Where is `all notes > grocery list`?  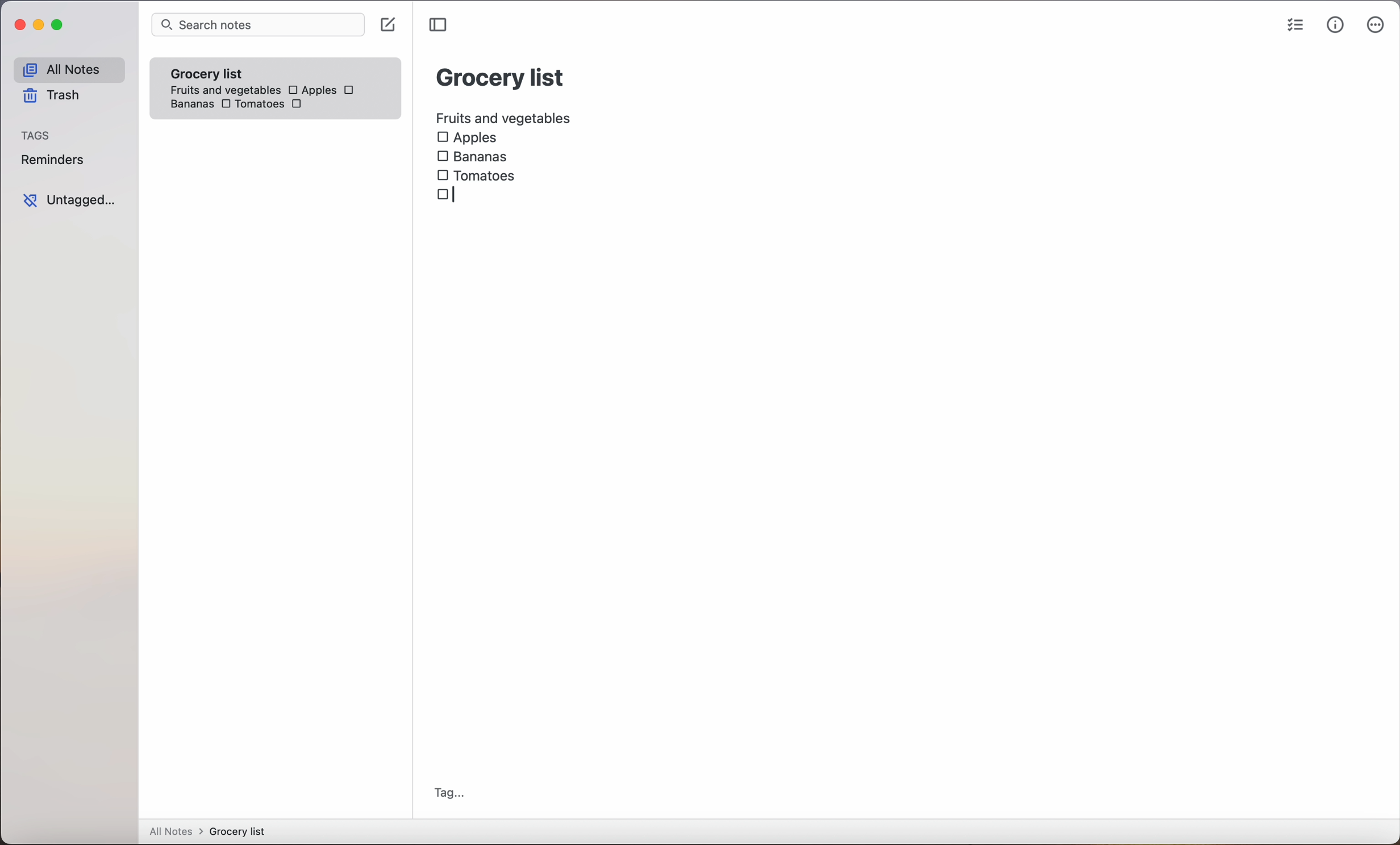 all notes > grocery list is located at coordinates (212, 833).